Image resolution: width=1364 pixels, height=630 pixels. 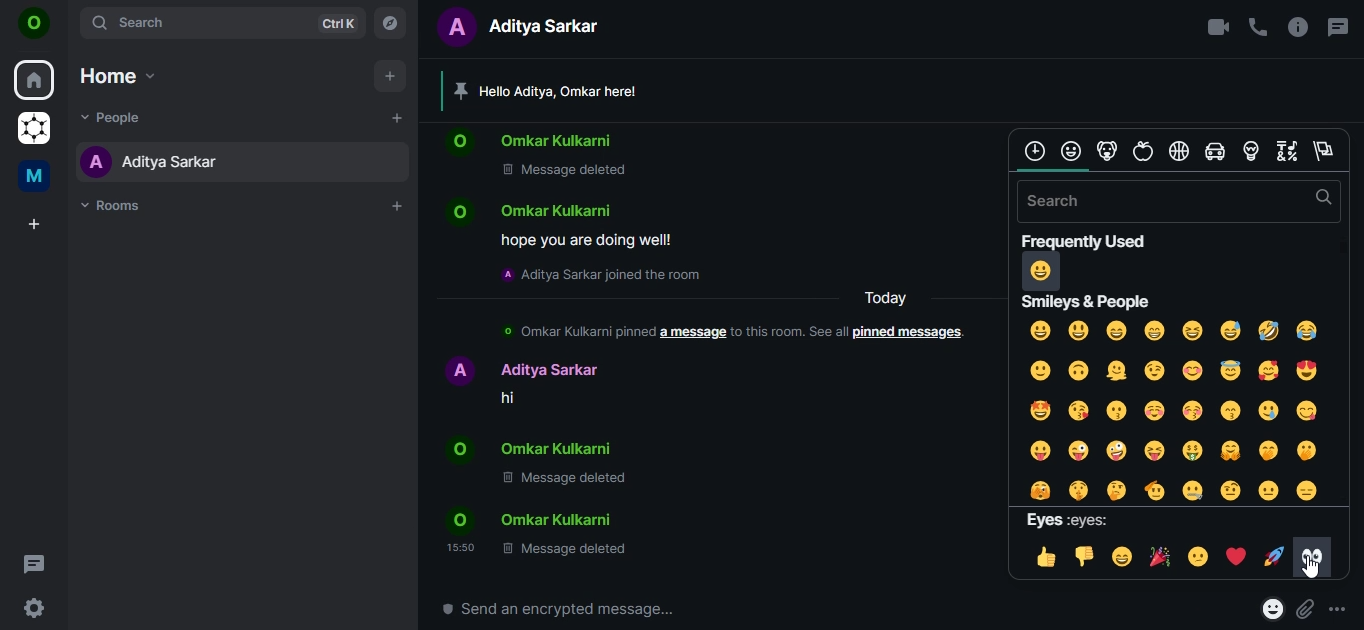 I want to click on rolling on the floor laughing, so click(x=1265, y=332).